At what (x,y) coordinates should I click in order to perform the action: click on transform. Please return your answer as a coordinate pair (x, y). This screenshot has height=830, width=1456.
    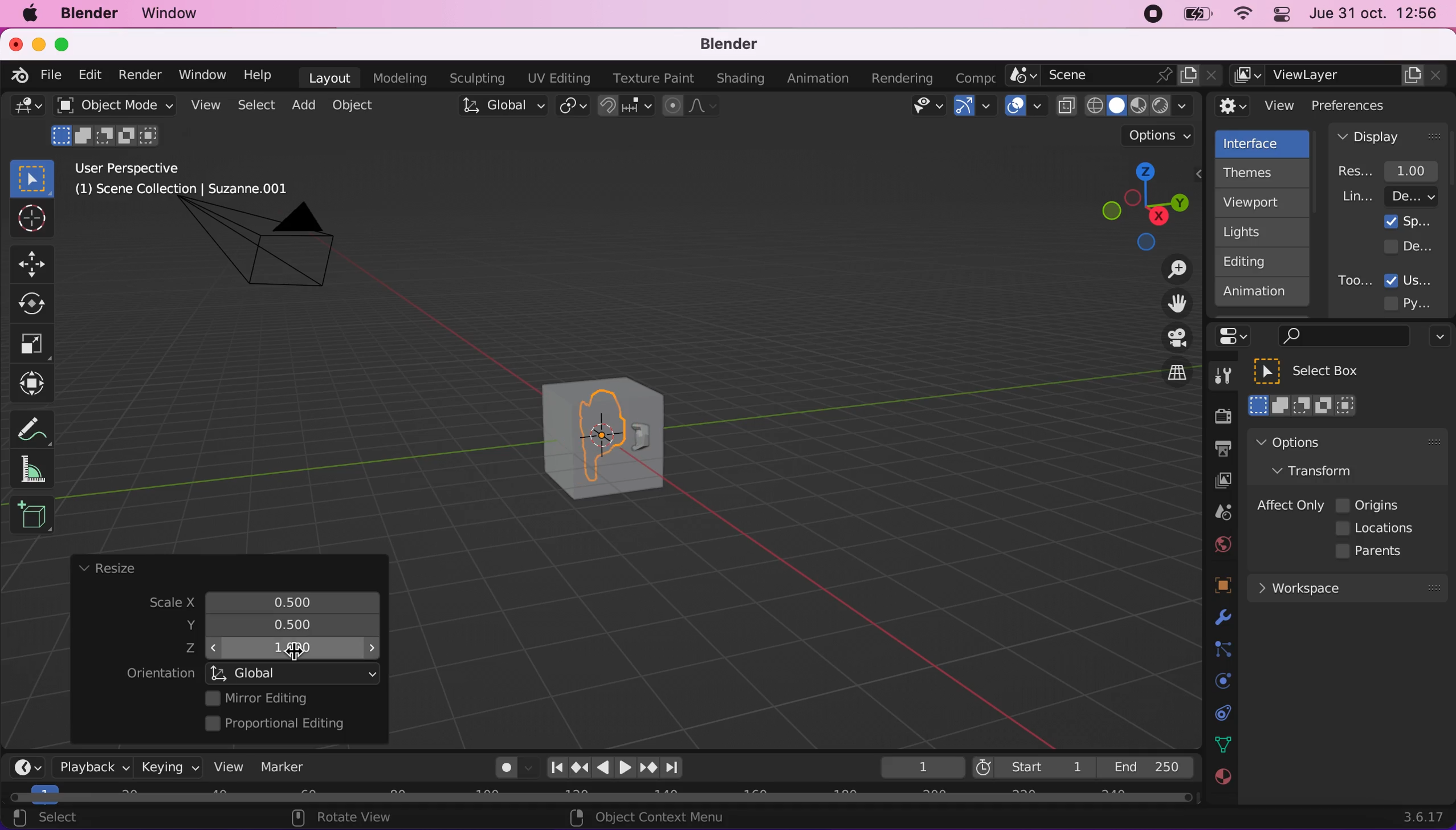
    Looking at the image, I should click on (35, 384).